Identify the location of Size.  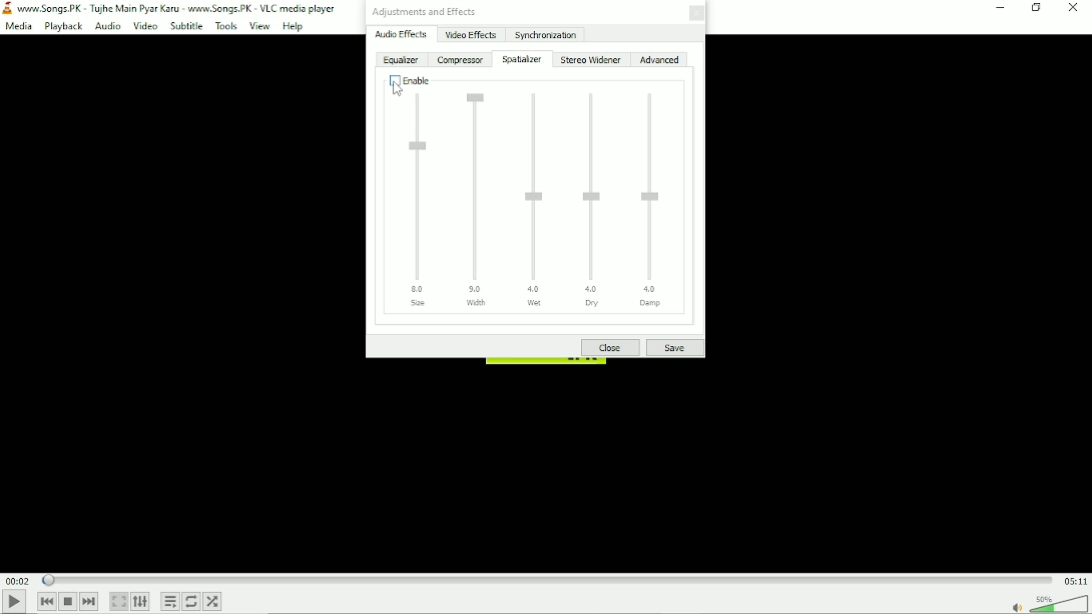
(420, 201).